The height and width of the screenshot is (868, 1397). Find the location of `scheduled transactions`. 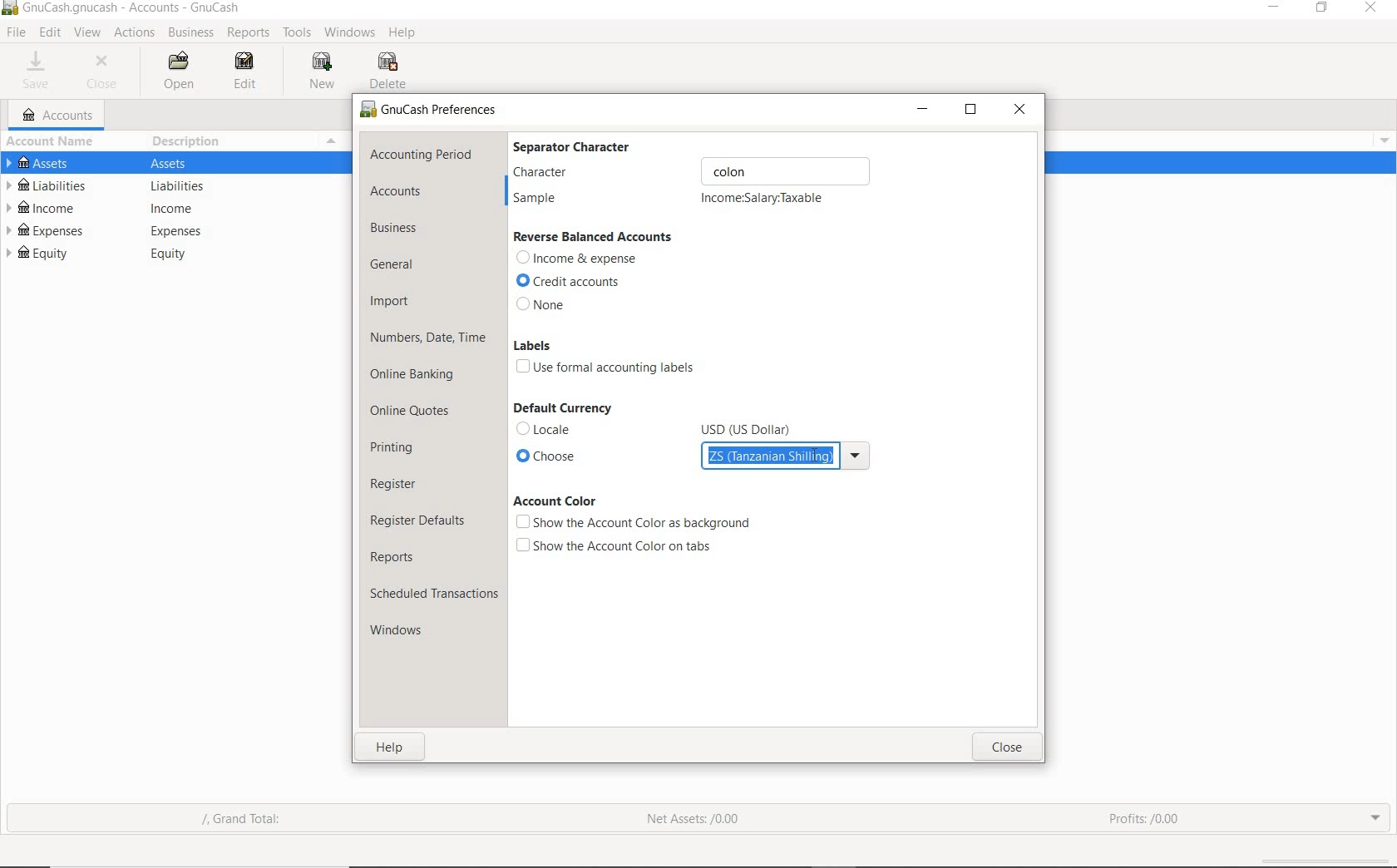

scheduled transactions is located at coordinates (433, 594).